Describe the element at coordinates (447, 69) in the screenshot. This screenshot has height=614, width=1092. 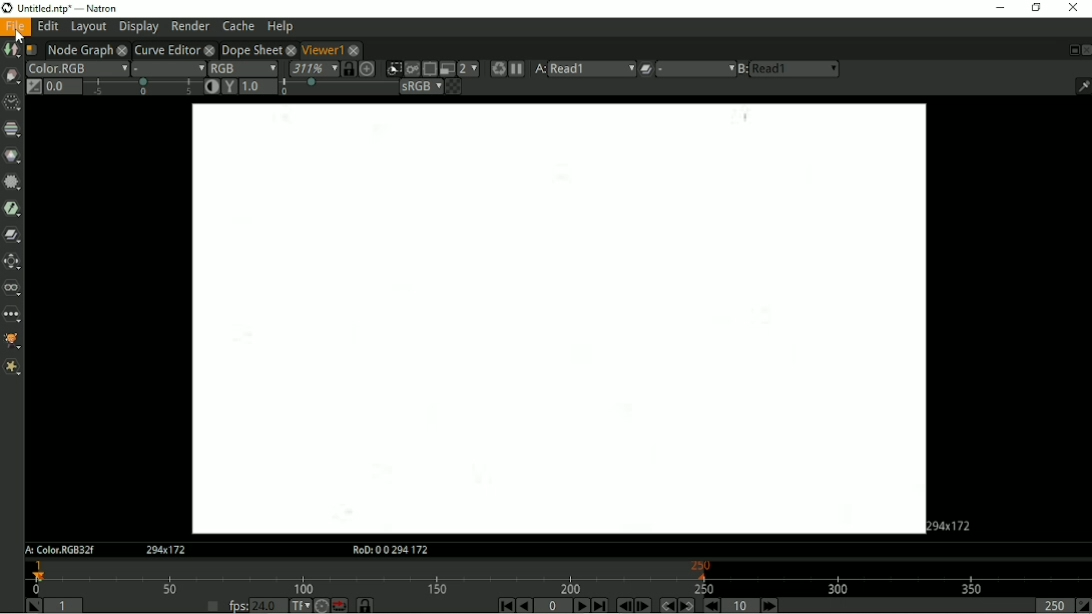
I see `Proxy mode` at that location.